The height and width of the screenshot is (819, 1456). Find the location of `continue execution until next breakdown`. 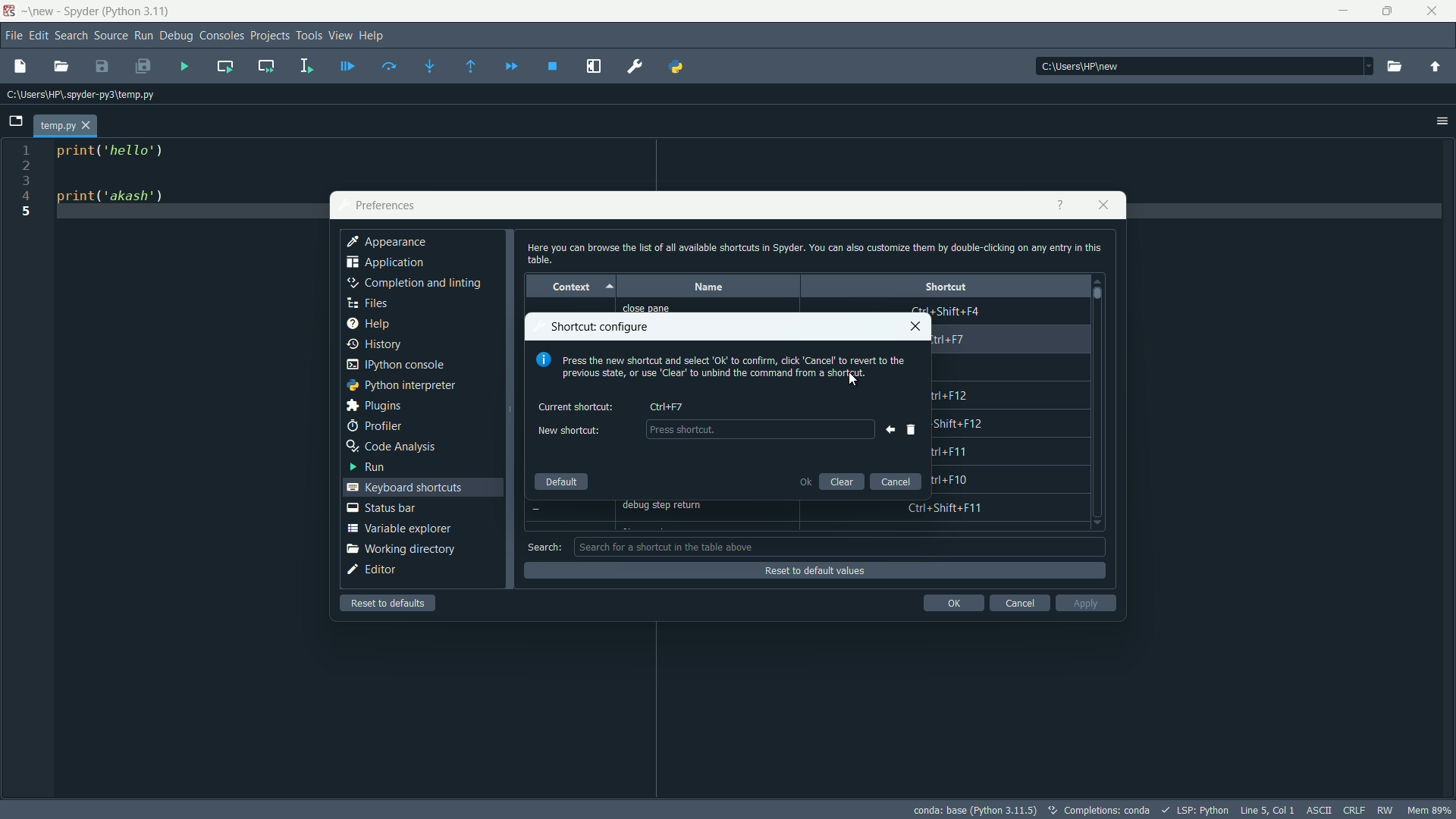

continue execution until next breakdown is located at coordinates (512, 67).